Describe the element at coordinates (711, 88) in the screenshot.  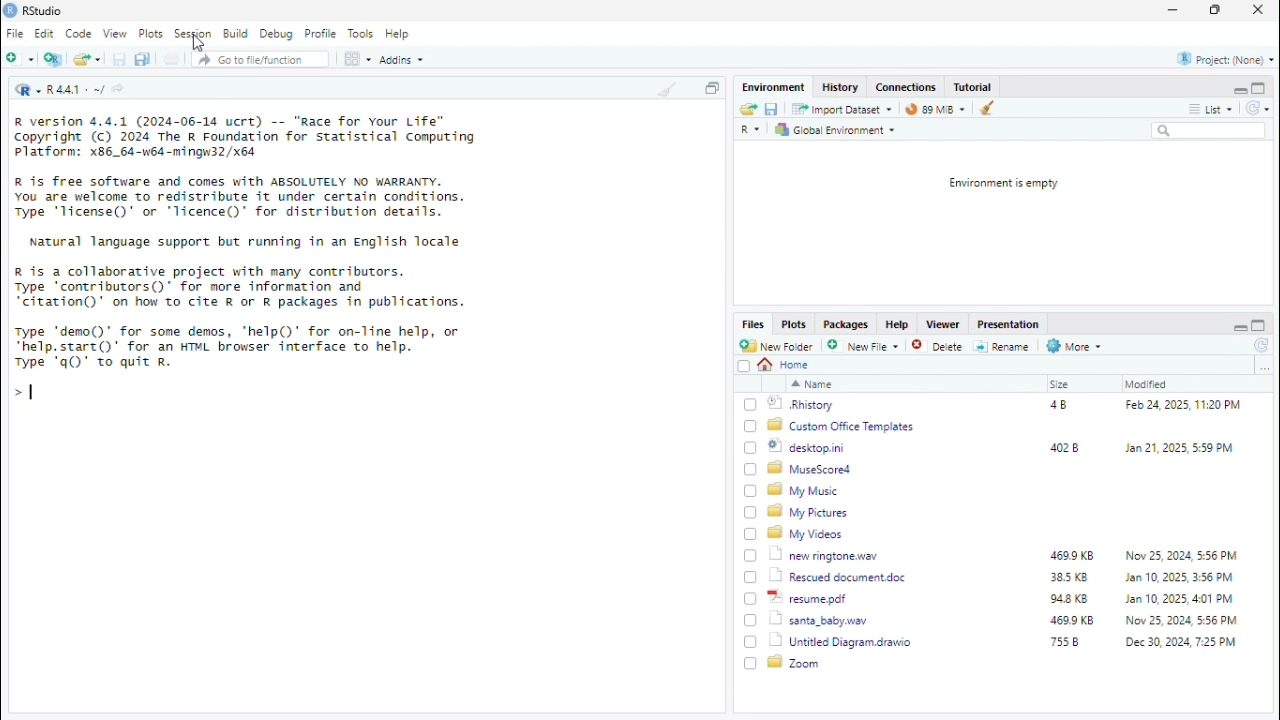
I see `copy` at that location.